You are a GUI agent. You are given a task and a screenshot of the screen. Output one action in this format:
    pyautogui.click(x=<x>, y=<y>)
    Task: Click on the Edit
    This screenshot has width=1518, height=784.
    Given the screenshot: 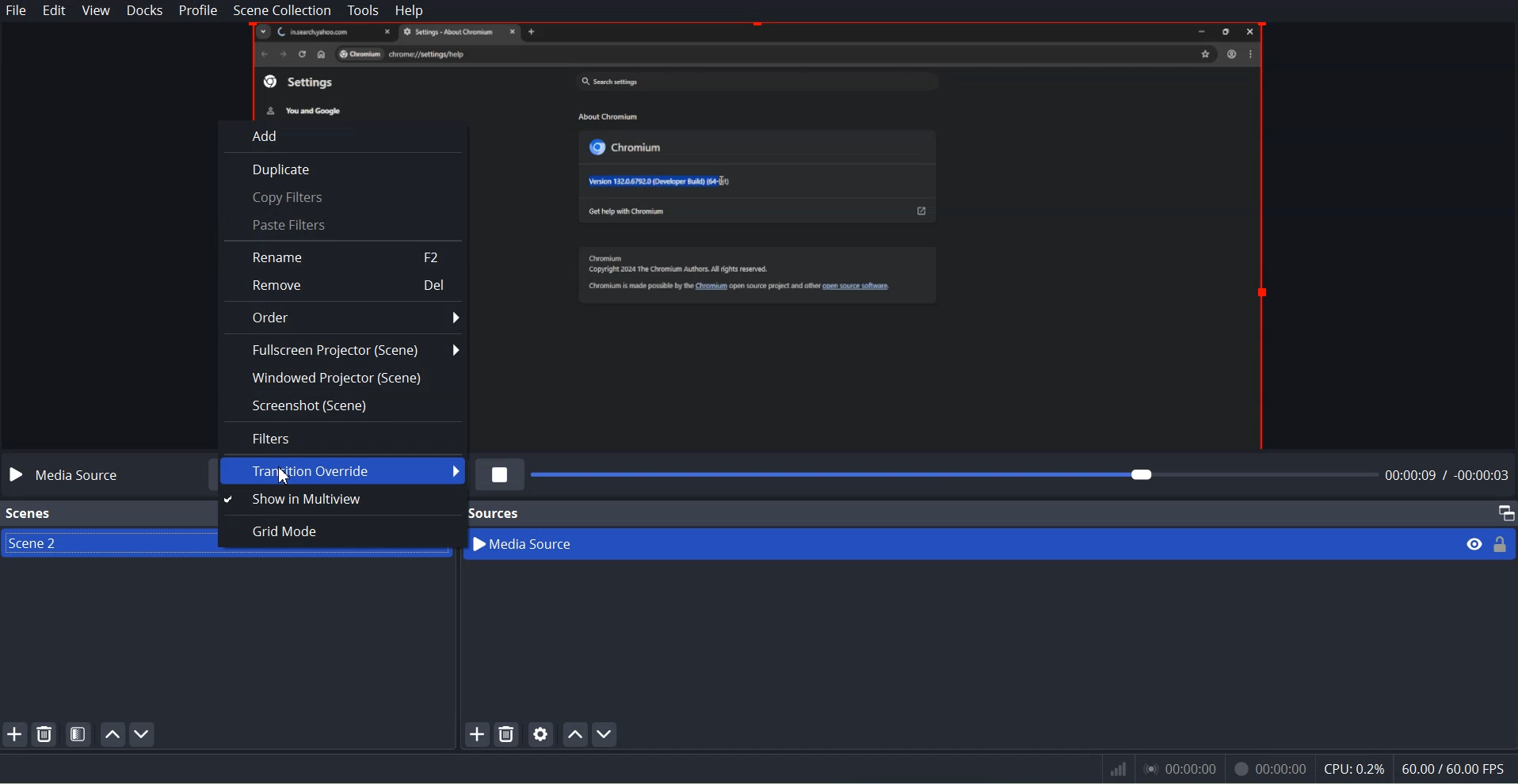 What is the action you would take?
    pyautogui.click(x=52, y=10)
    